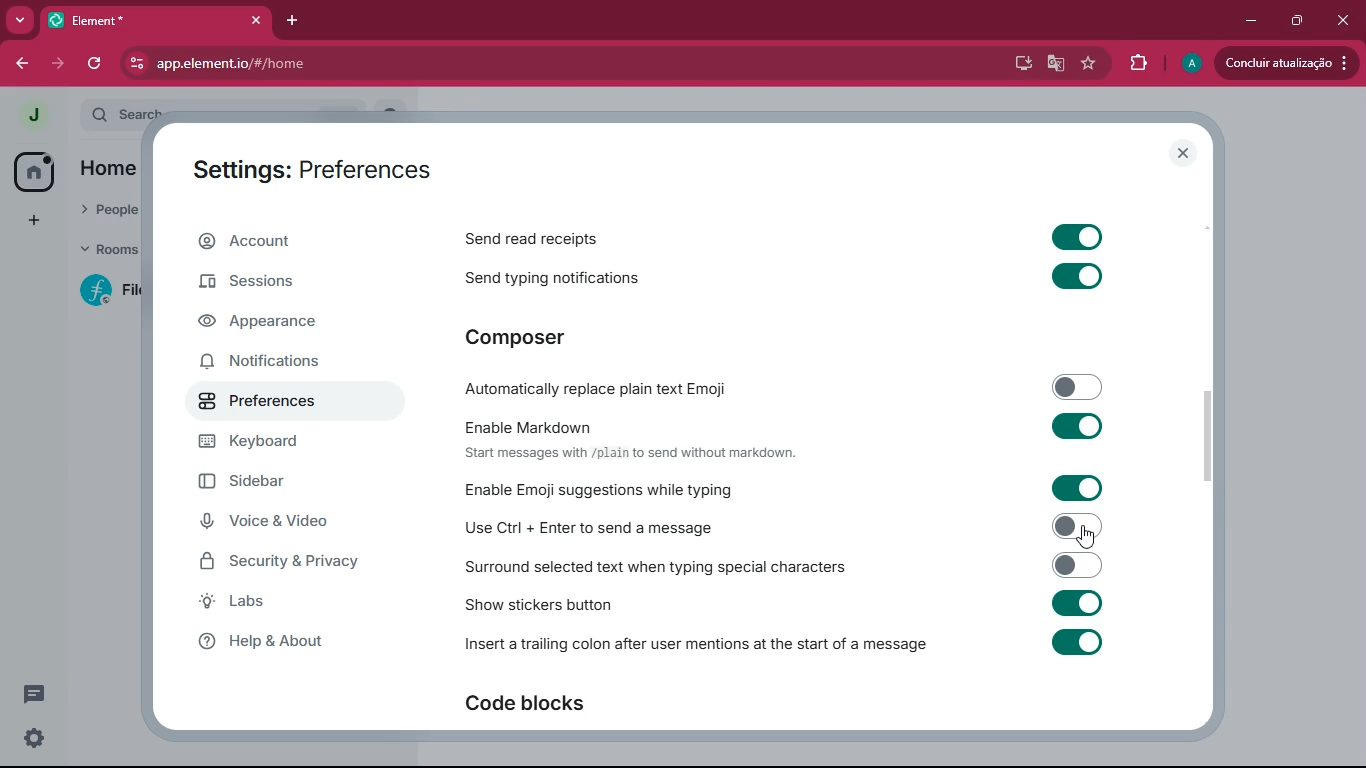  I want to click on toggle on or off, so click(1070, 424).